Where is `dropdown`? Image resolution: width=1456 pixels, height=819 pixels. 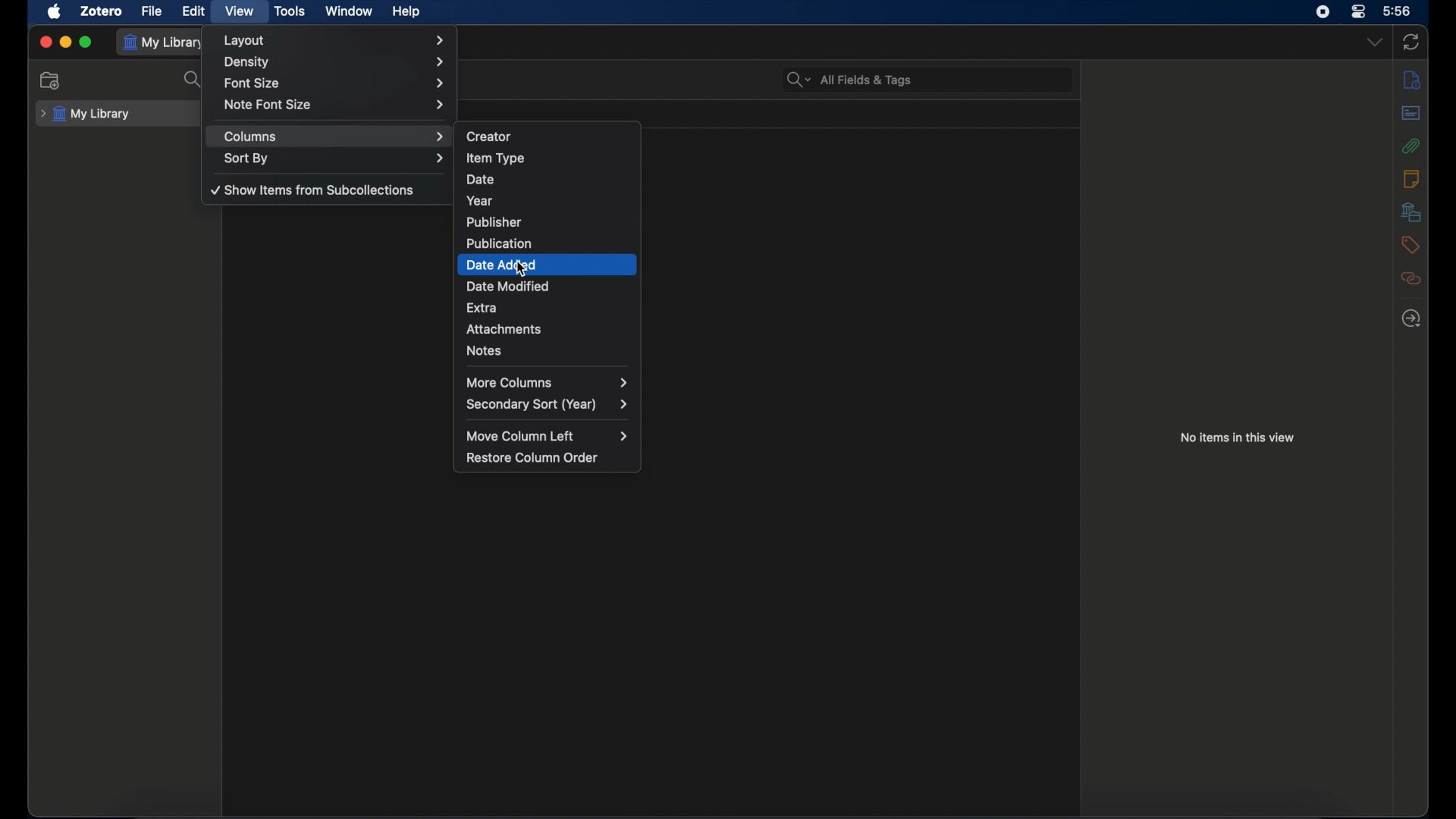 dropdown is located at coordinates (1375, 42).